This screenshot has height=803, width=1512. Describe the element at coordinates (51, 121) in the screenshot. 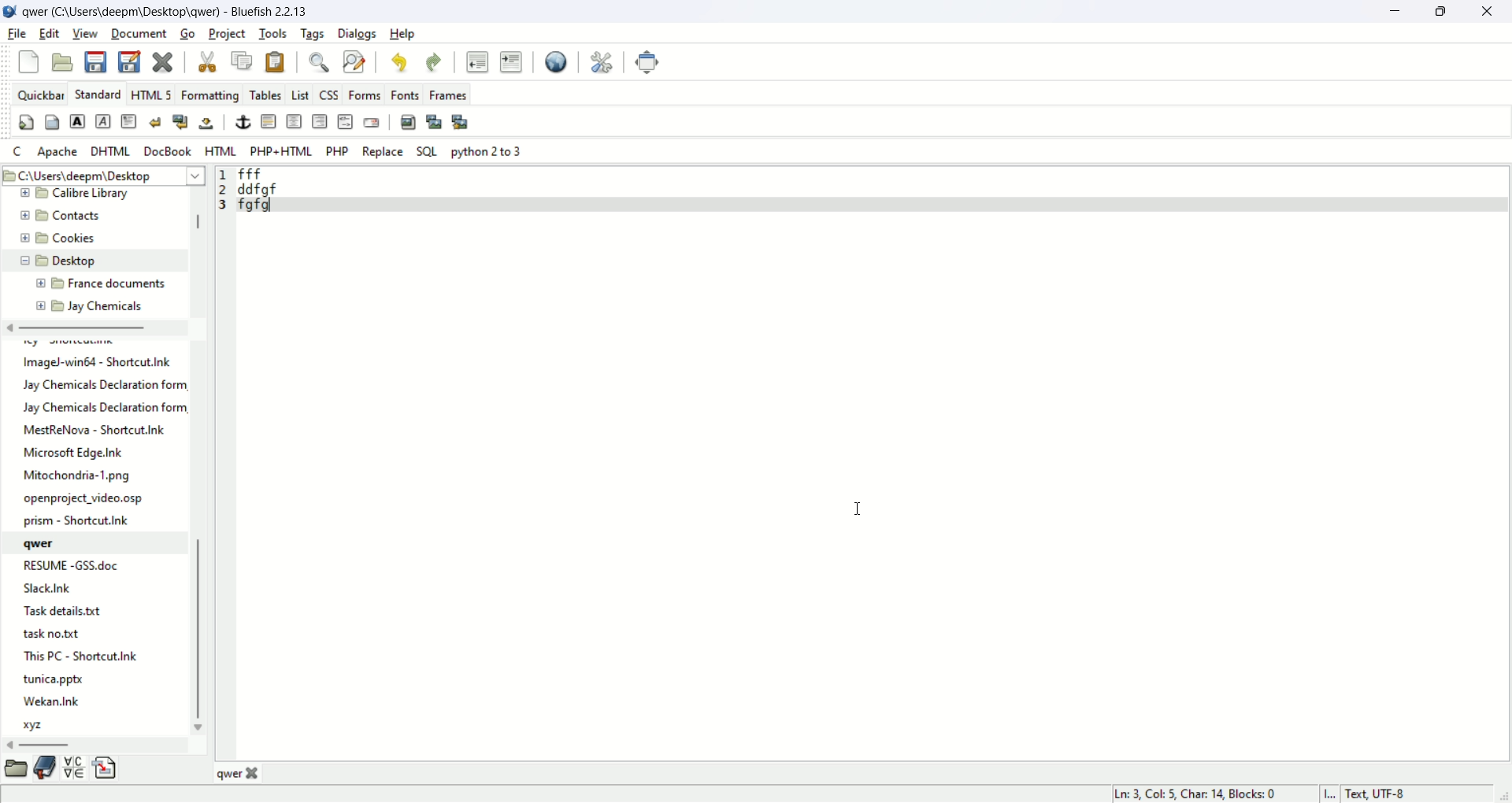

I see `body` at that location.